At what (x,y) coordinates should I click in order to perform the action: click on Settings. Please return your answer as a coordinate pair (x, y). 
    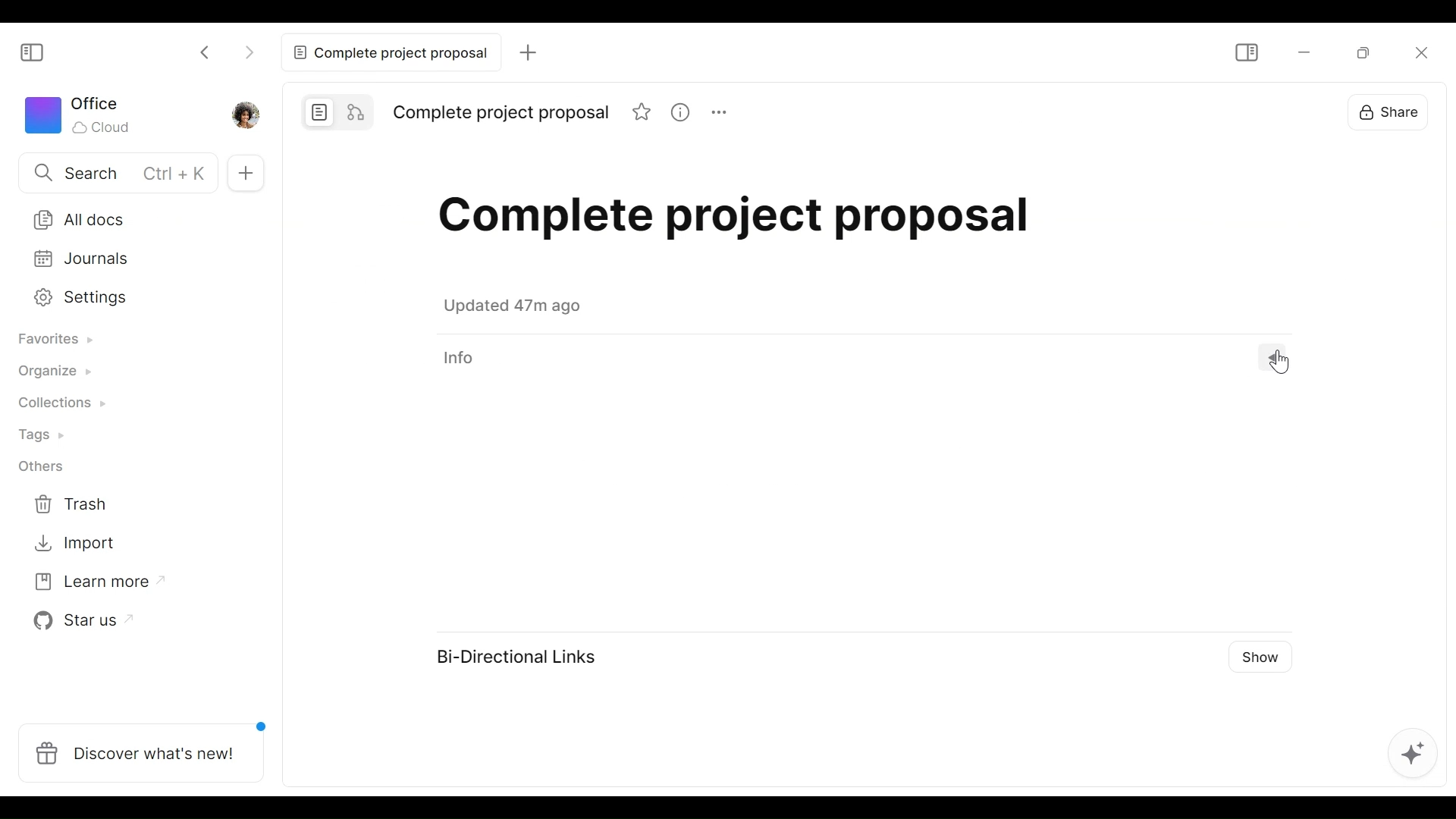
    Looking at the image, I should click on (127, 298).